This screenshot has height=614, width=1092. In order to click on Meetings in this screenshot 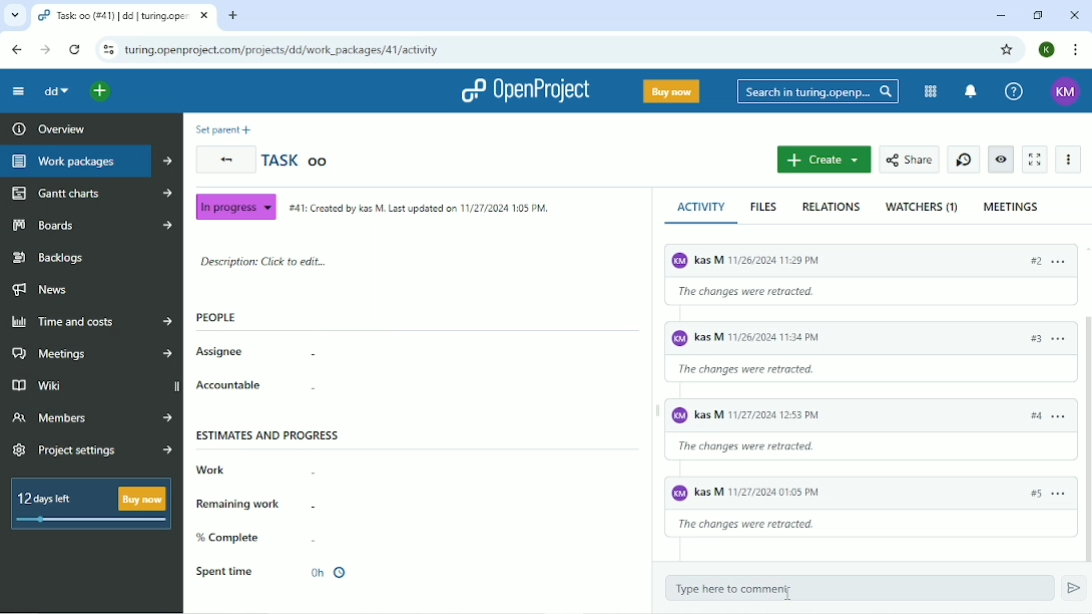, I will do `click(94, 353)`.